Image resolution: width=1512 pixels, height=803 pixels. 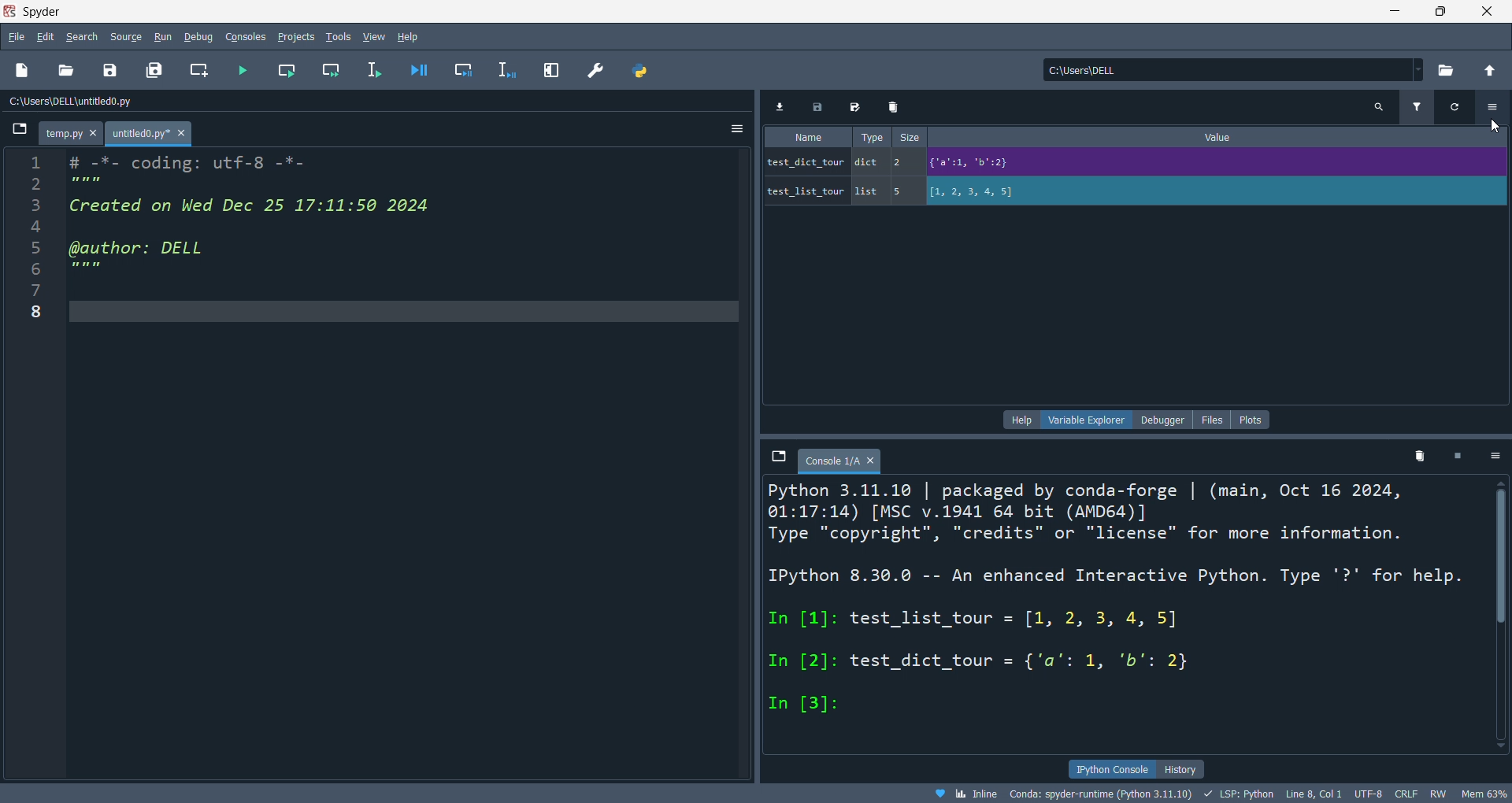 I want to click on view, so click(x=372, y=35).